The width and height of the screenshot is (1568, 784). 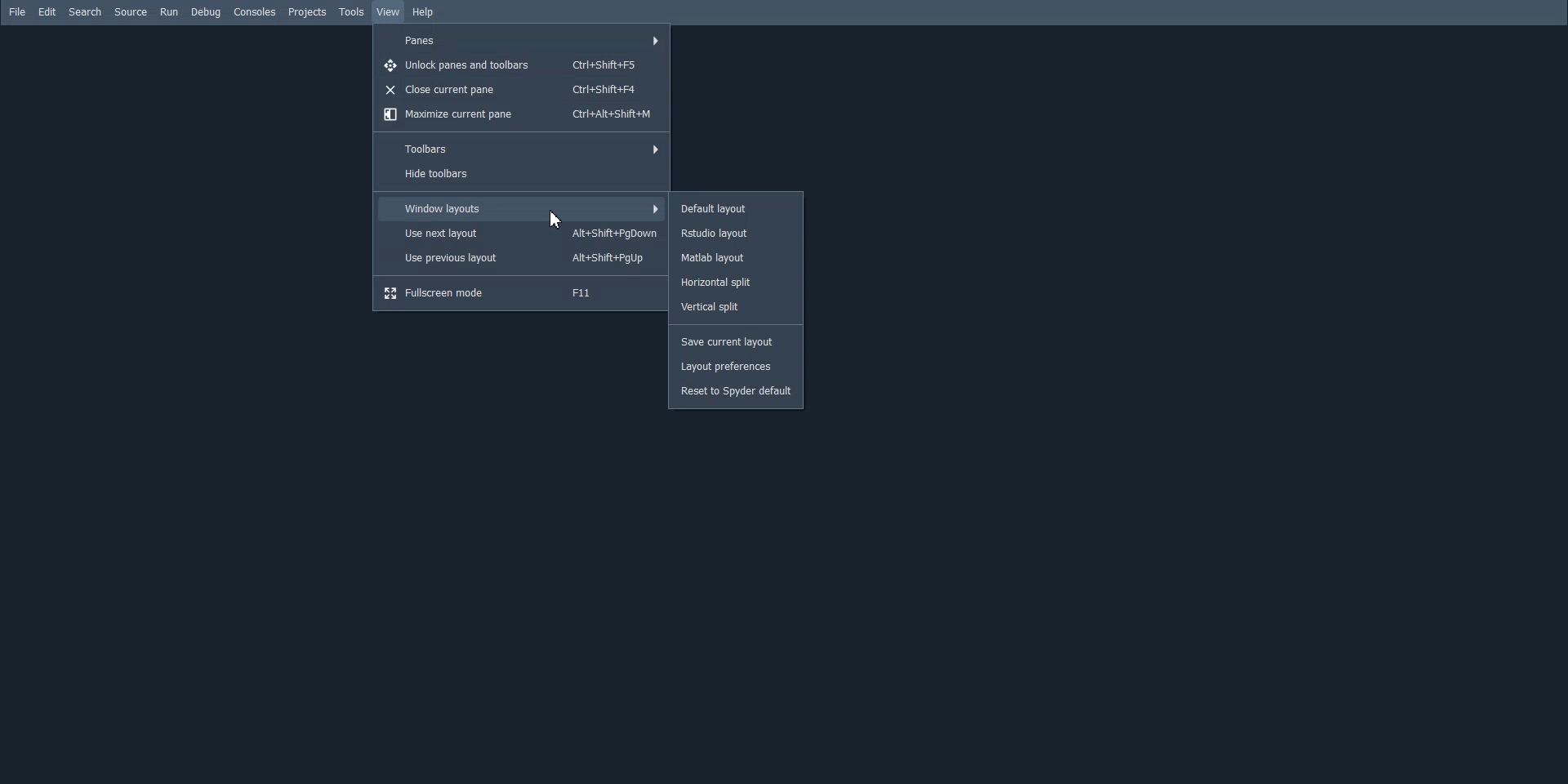 What do you see at coordinates (86, 12) in the screenshot?
I see `Search` at bounding box center [86, 12].